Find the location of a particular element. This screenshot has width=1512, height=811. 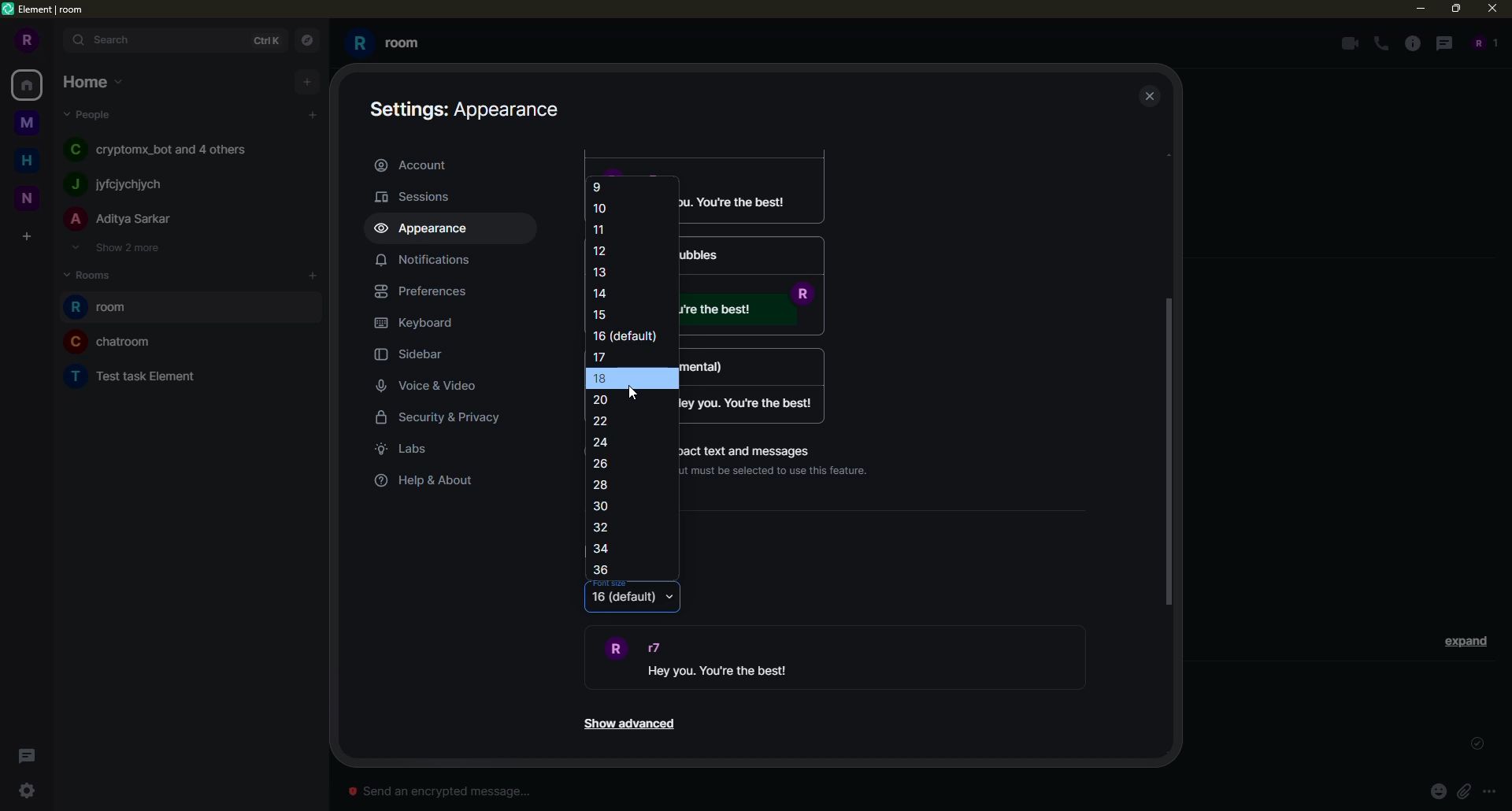

voice call is located at coordinates (1383, 44).